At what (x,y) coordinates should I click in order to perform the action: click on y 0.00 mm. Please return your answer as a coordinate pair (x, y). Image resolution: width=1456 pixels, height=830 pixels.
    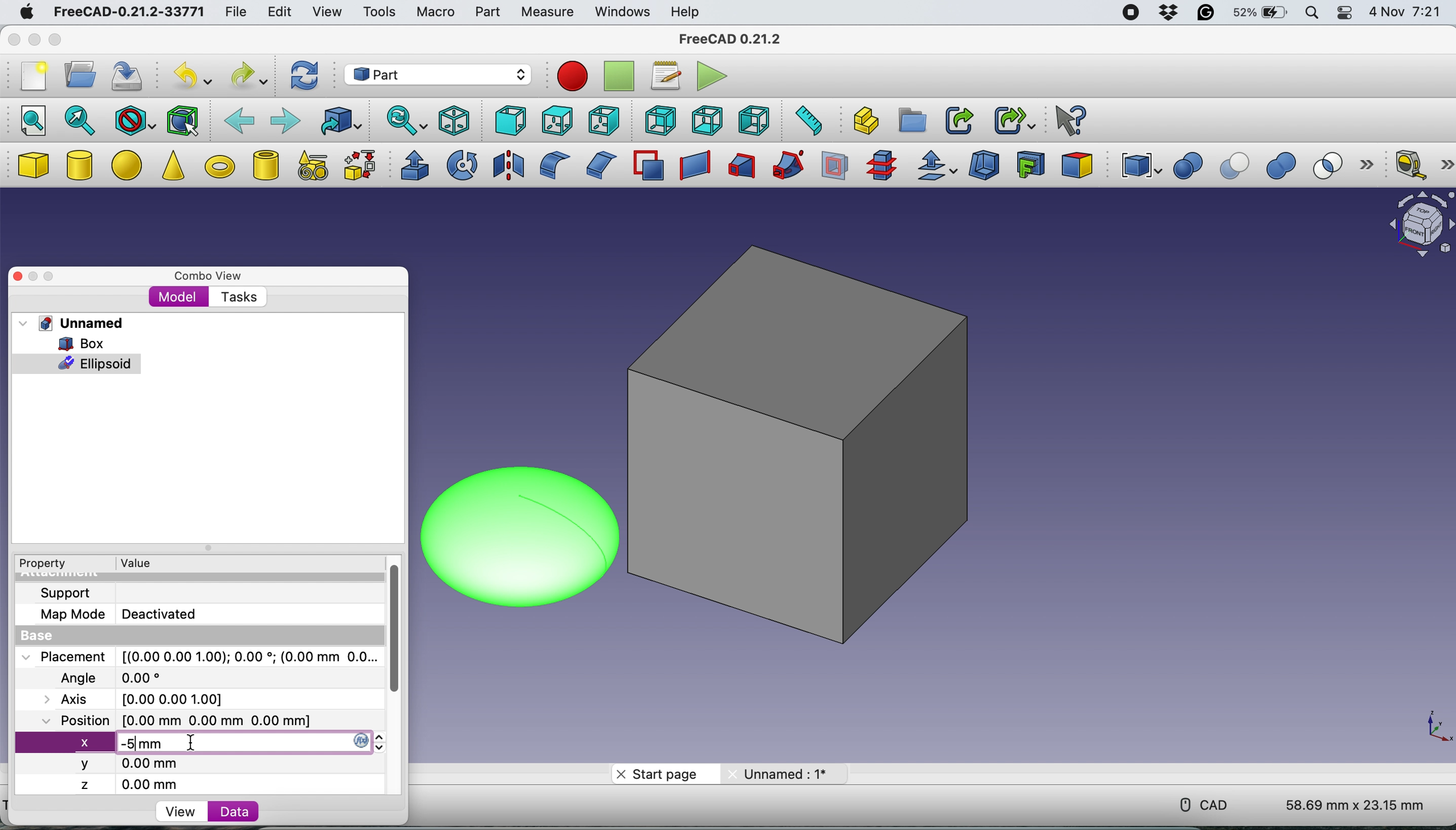
    Looking at the image, I should click on (130, 766).